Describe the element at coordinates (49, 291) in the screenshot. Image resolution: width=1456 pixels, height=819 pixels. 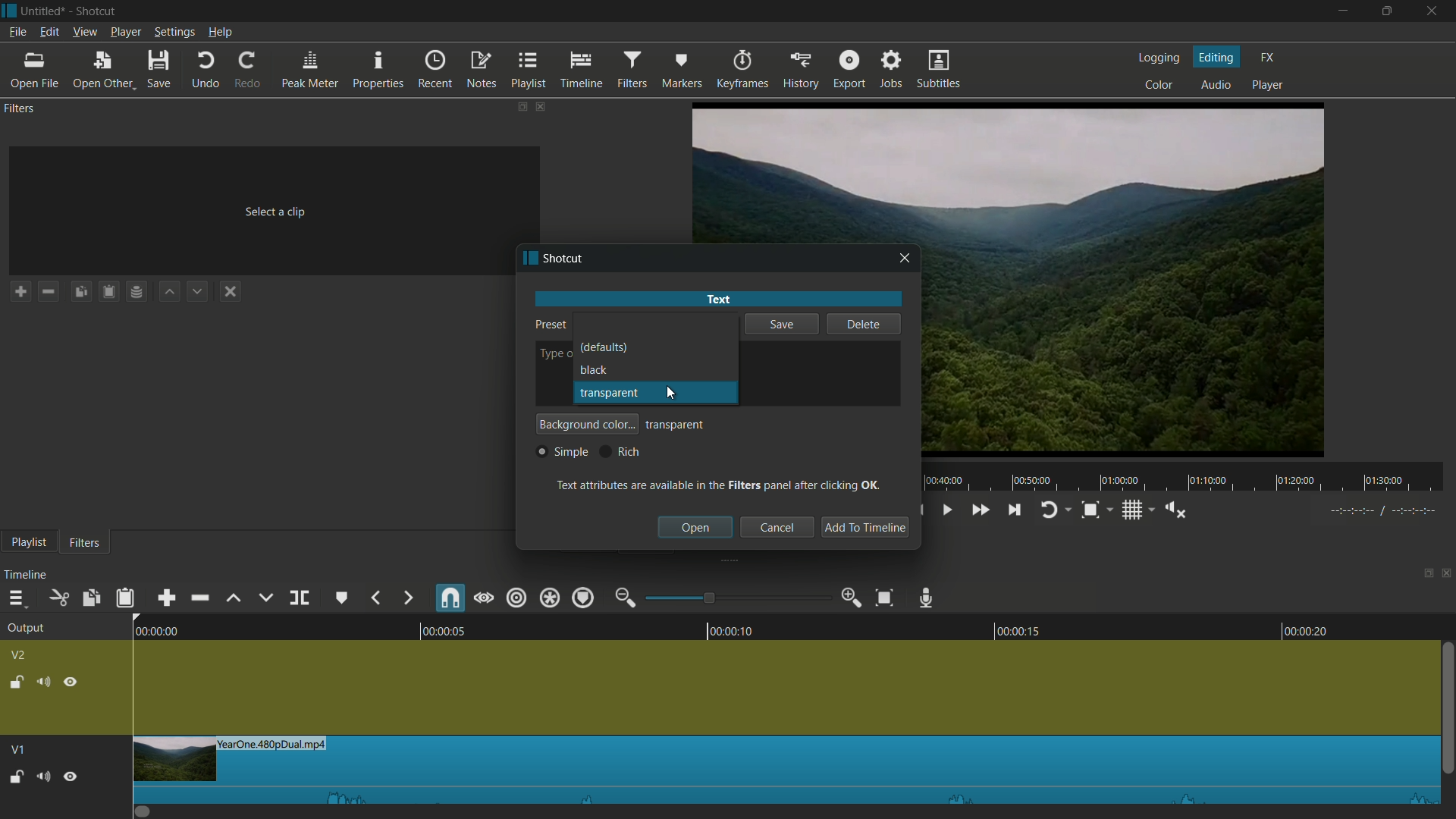
I see `remove a filter` at that location.